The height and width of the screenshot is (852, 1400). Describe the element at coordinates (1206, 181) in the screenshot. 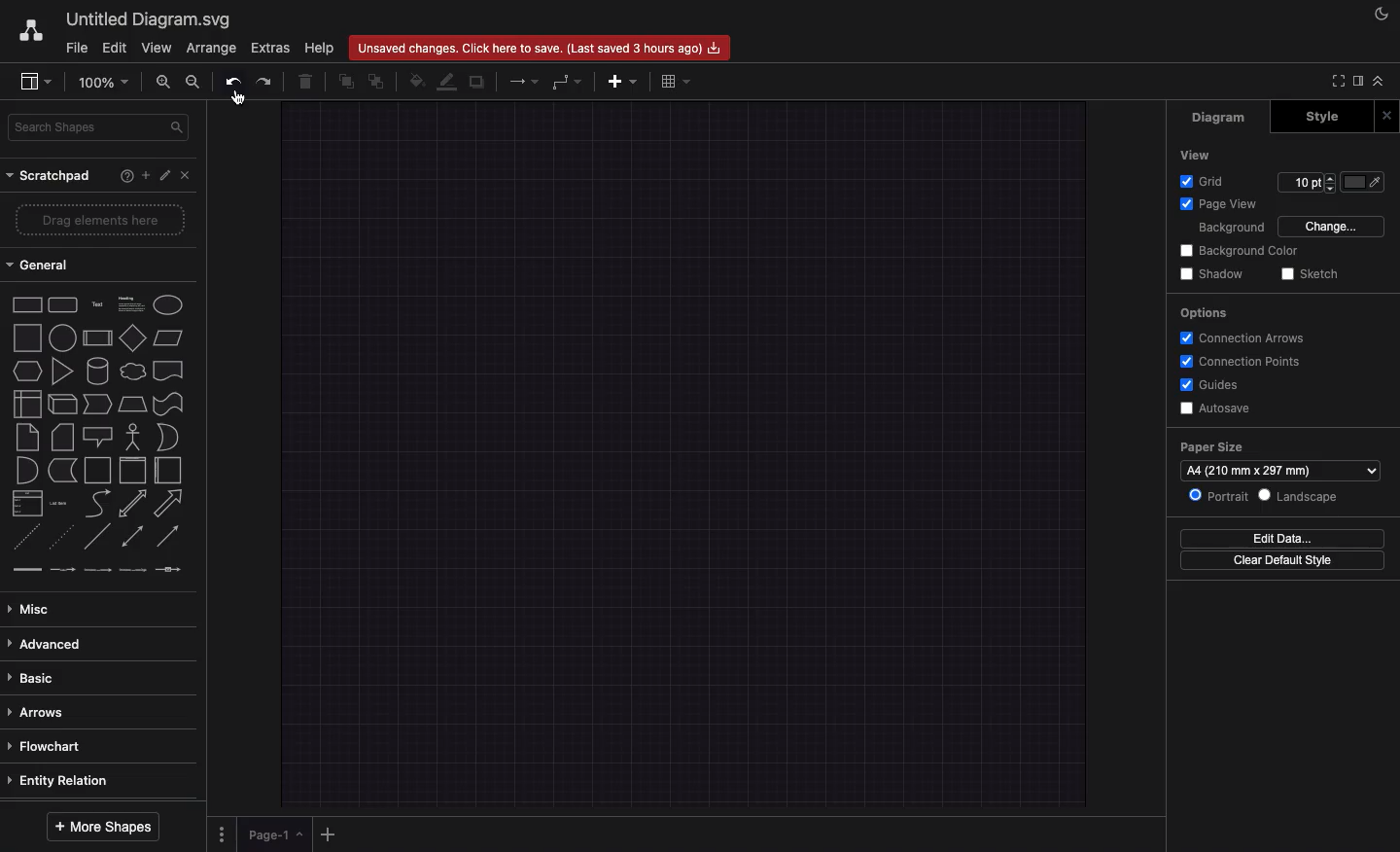

I see `Grid` at that location.